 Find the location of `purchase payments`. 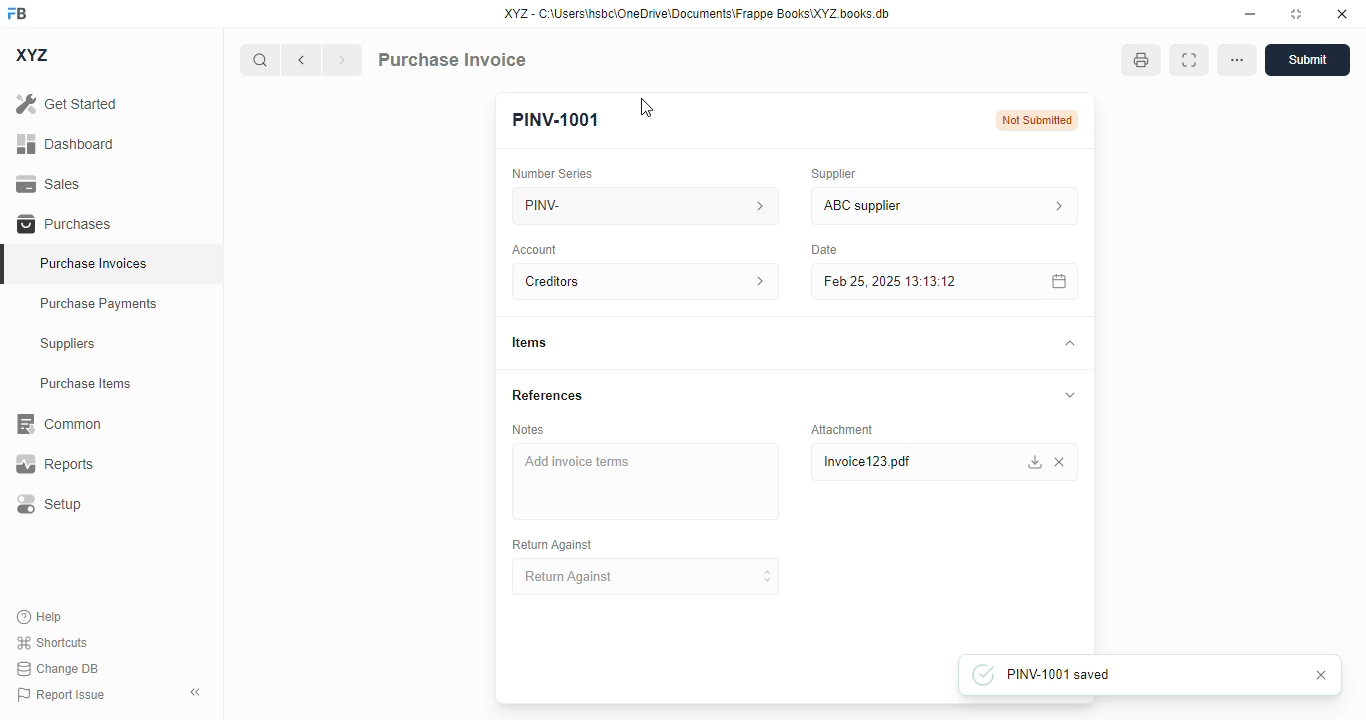

purchase payments is located at coordinates (99, 303).